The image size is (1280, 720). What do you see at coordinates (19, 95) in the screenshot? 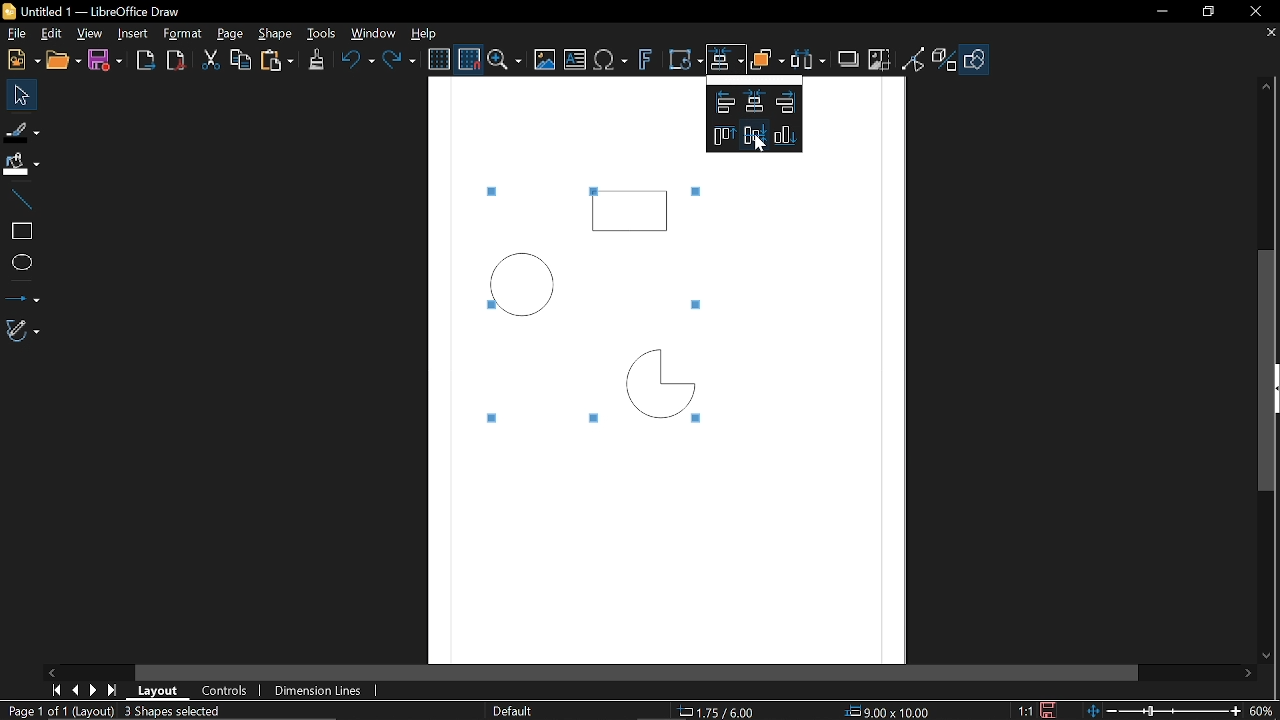
I see `Select` at bounding box center [19, 95].